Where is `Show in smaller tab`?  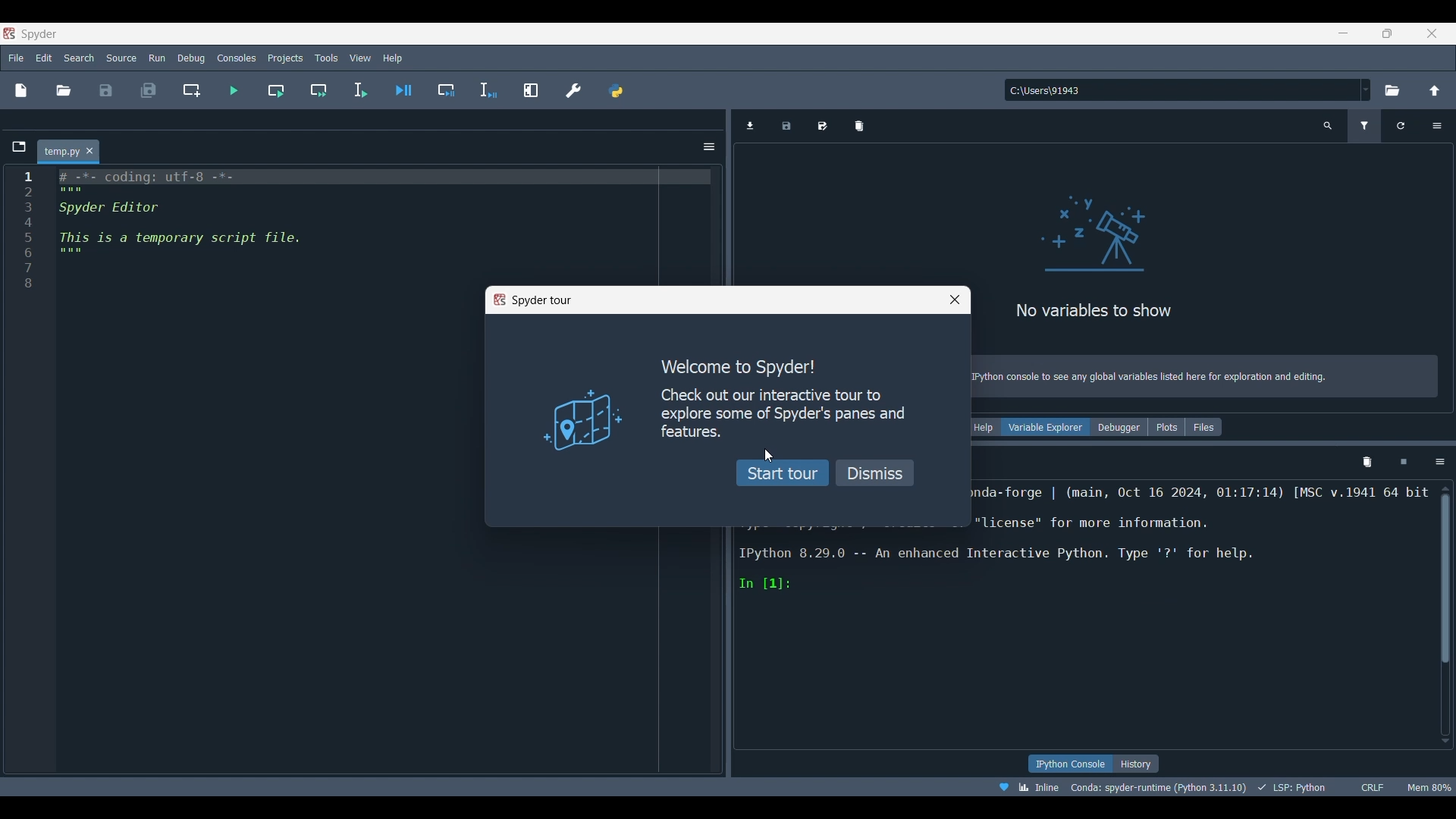 Show in smaller tab is located at coordinates (1387, 33).